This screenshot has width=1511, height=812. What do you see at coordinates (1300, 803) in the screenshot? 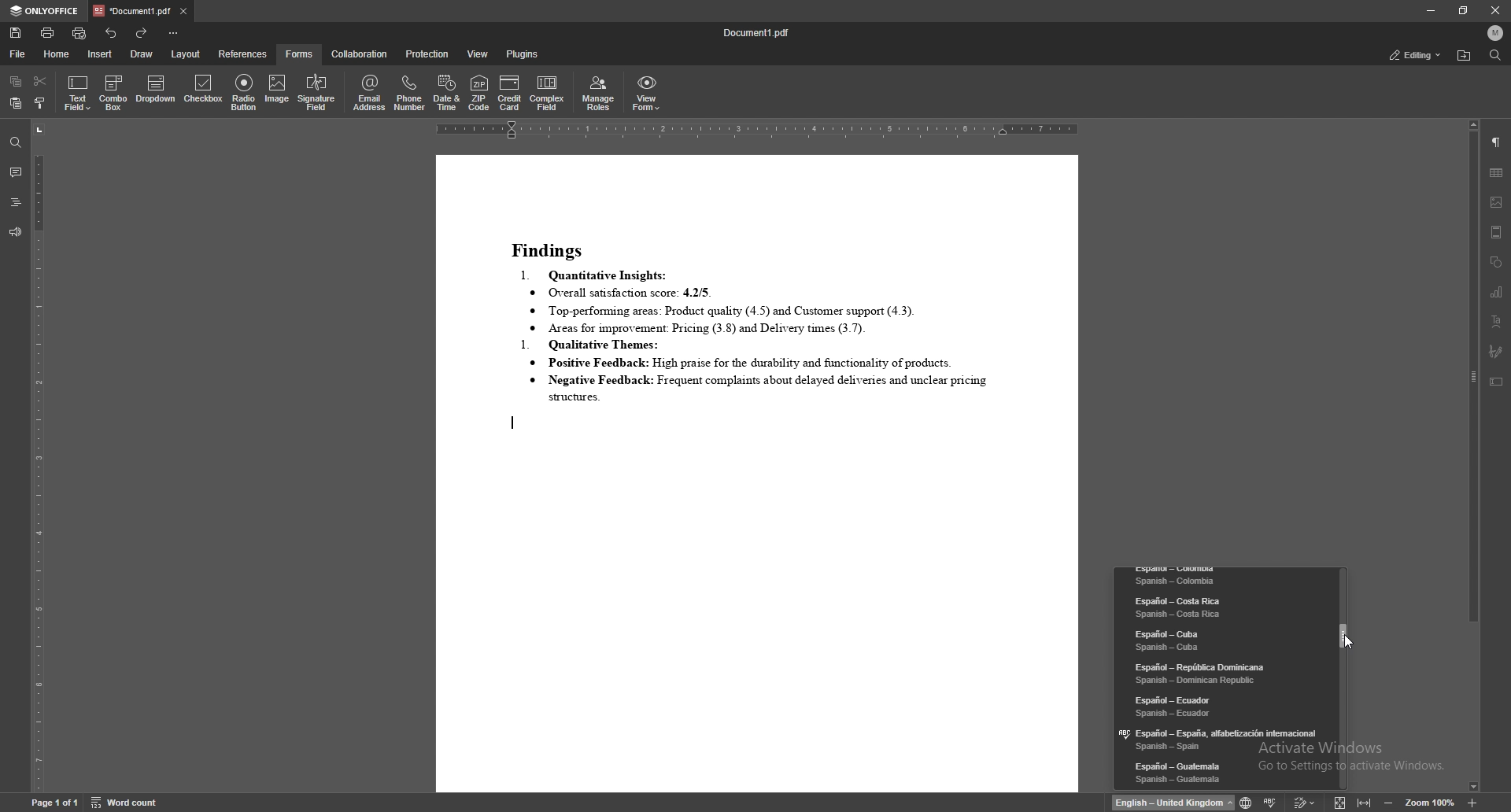
I see `track change` at bounding box center [1300, 803].